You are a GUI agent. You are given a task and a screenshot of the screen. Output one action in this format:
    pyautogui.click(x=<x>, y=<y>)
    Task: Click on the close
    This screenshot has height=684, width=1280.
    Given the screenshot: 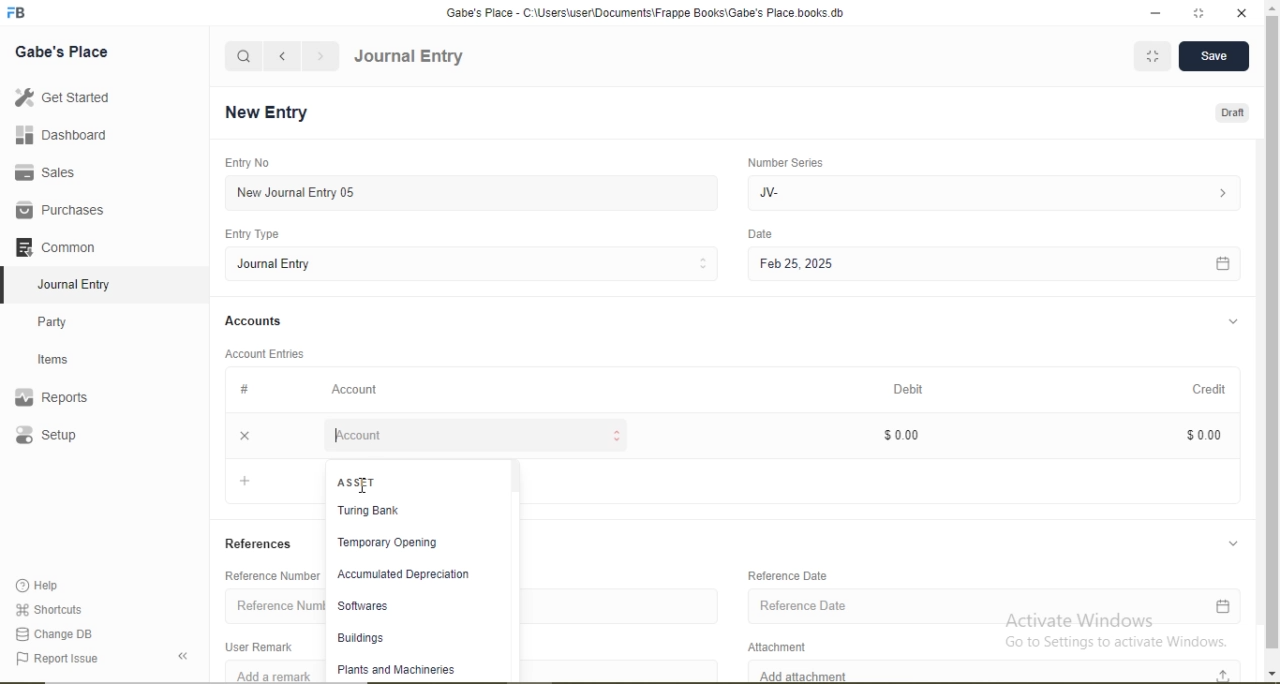 What is the action you would take?
    pyautogui.click(x=242, y=434)
    